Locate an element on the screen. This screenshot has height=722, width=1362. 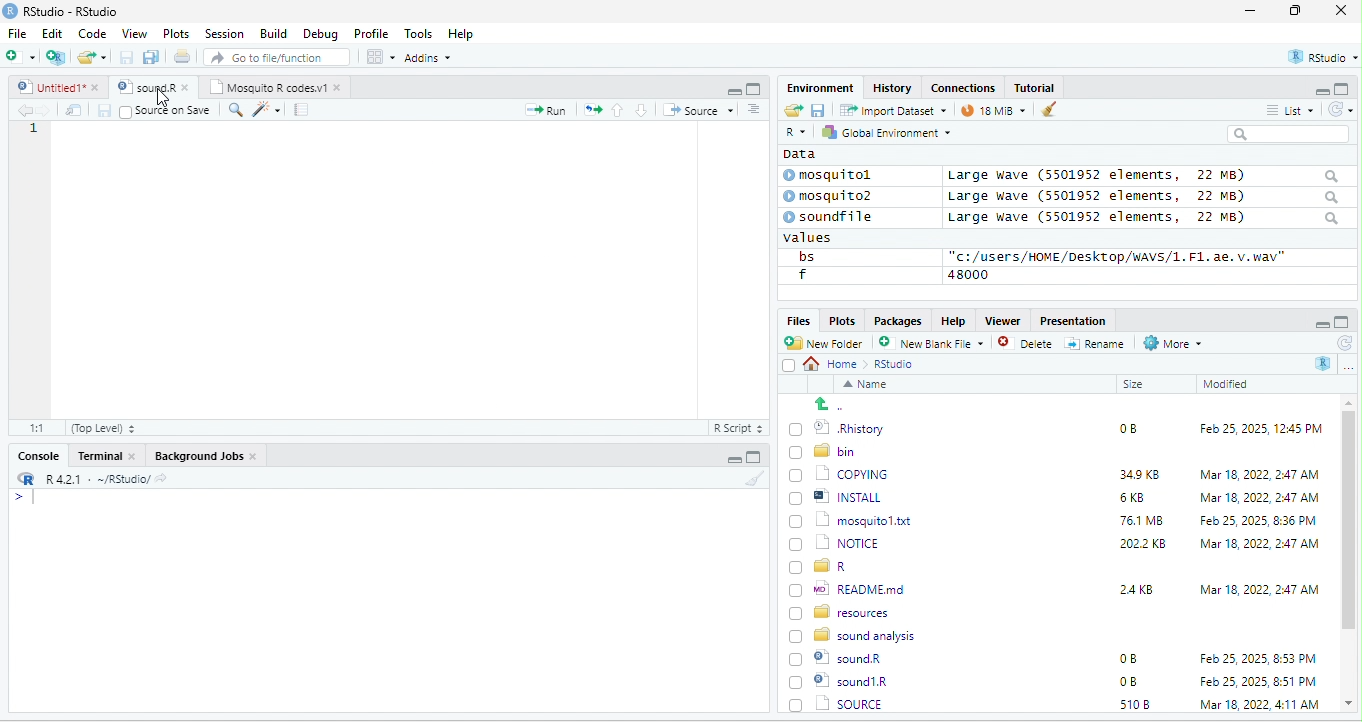
new project is located at coordinates (57, 57).